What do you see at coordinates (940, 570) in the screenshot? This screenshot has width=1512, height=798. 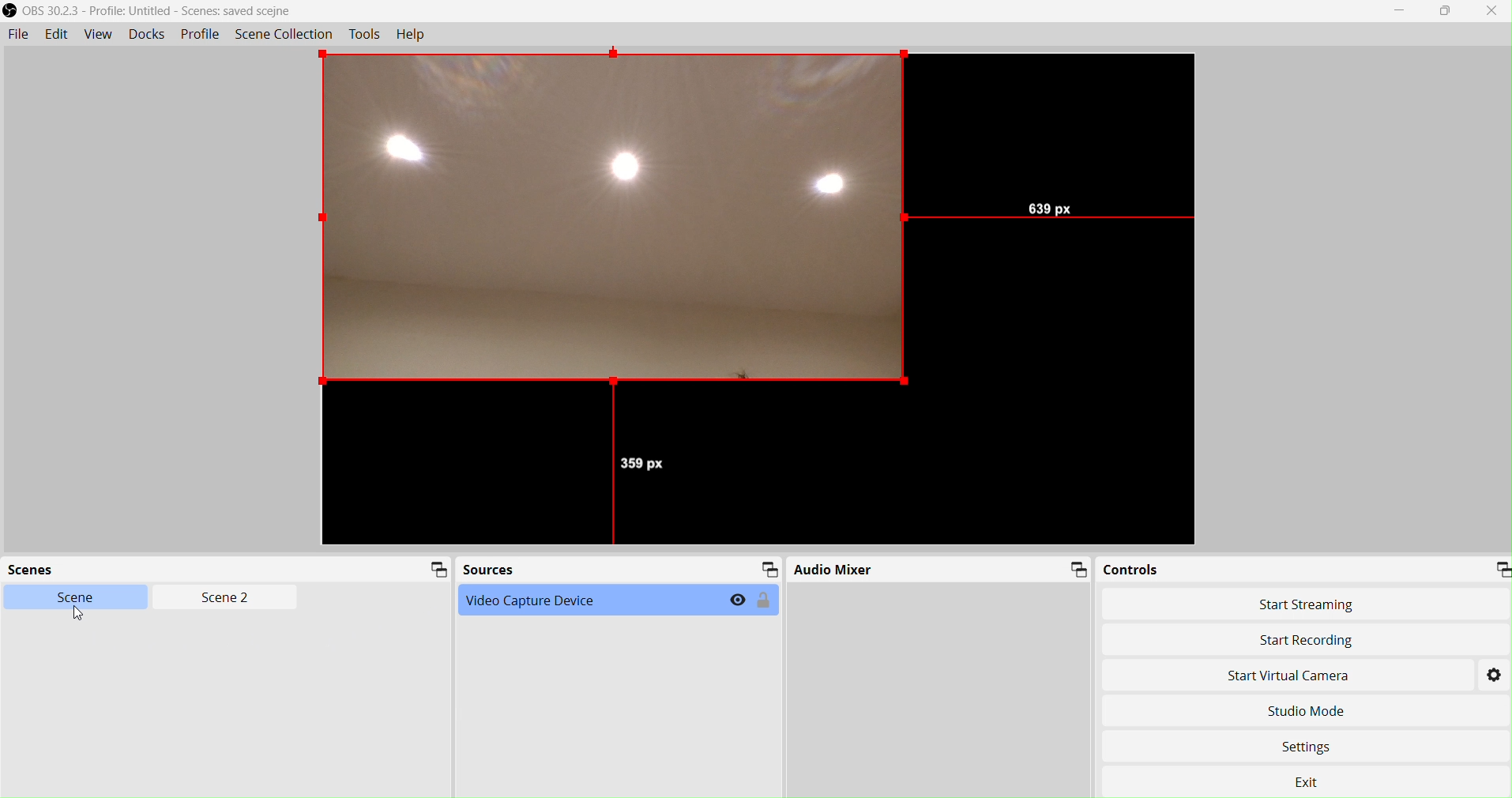 I see `Audio Mixer` at bounding box center [940, 570].